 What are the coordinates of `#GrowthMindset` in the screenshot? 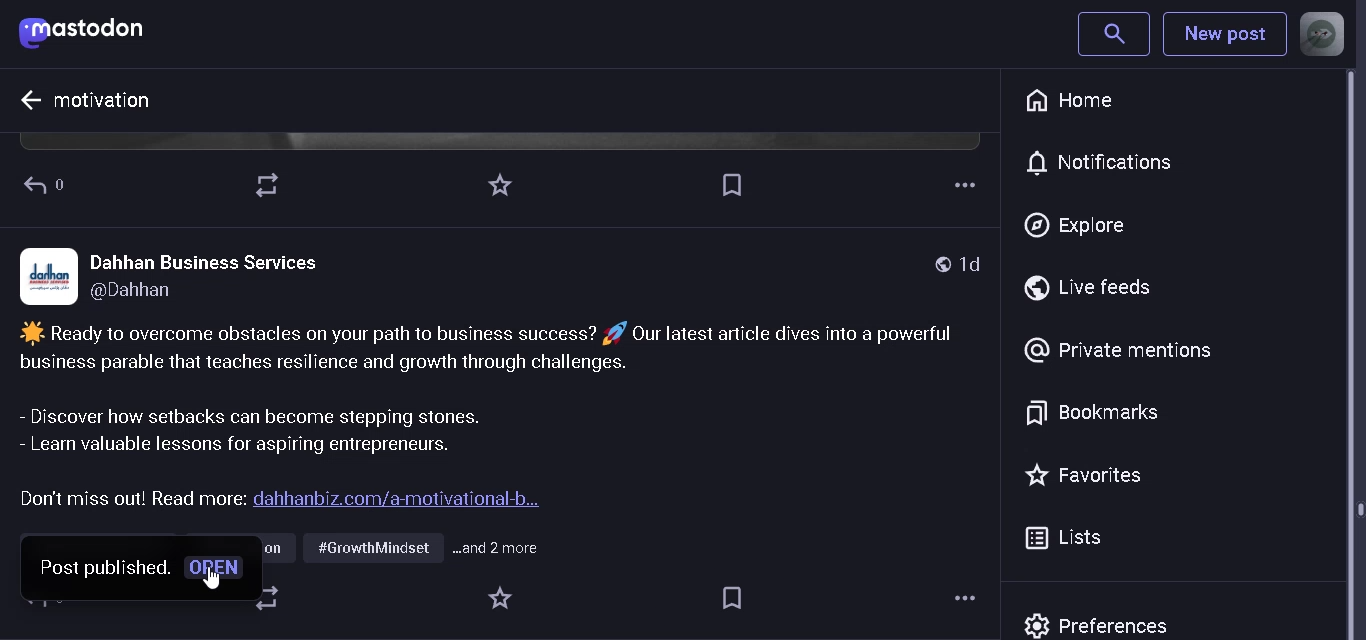 It's located at (372, 550).